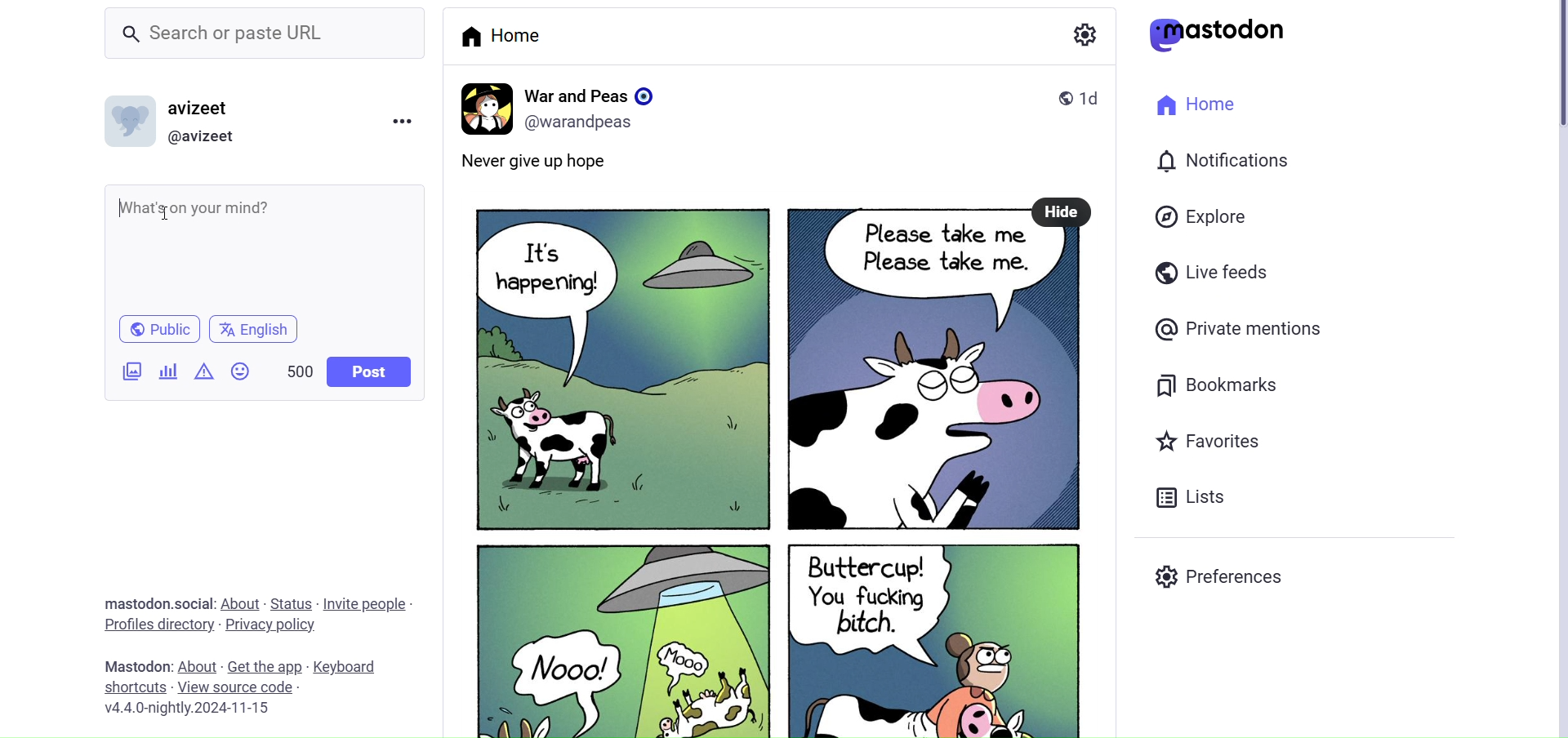 This screenshot has width=1568, height=738. I want to click on Hide, so click(1062, 211).